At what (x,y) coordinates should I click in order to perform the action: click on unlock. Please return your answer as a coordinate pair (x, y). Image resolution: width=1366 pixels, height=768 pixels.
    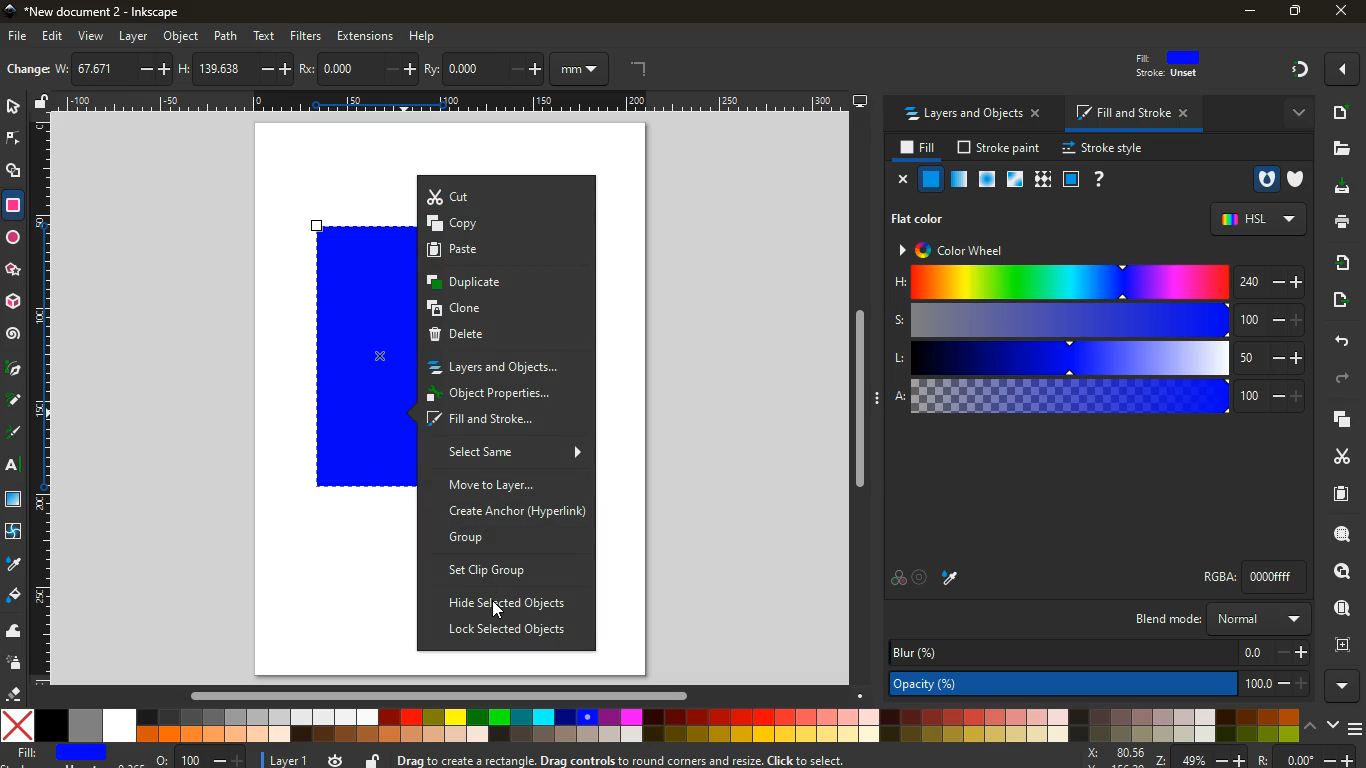
    Looking at the image, I should click on (44, 104).